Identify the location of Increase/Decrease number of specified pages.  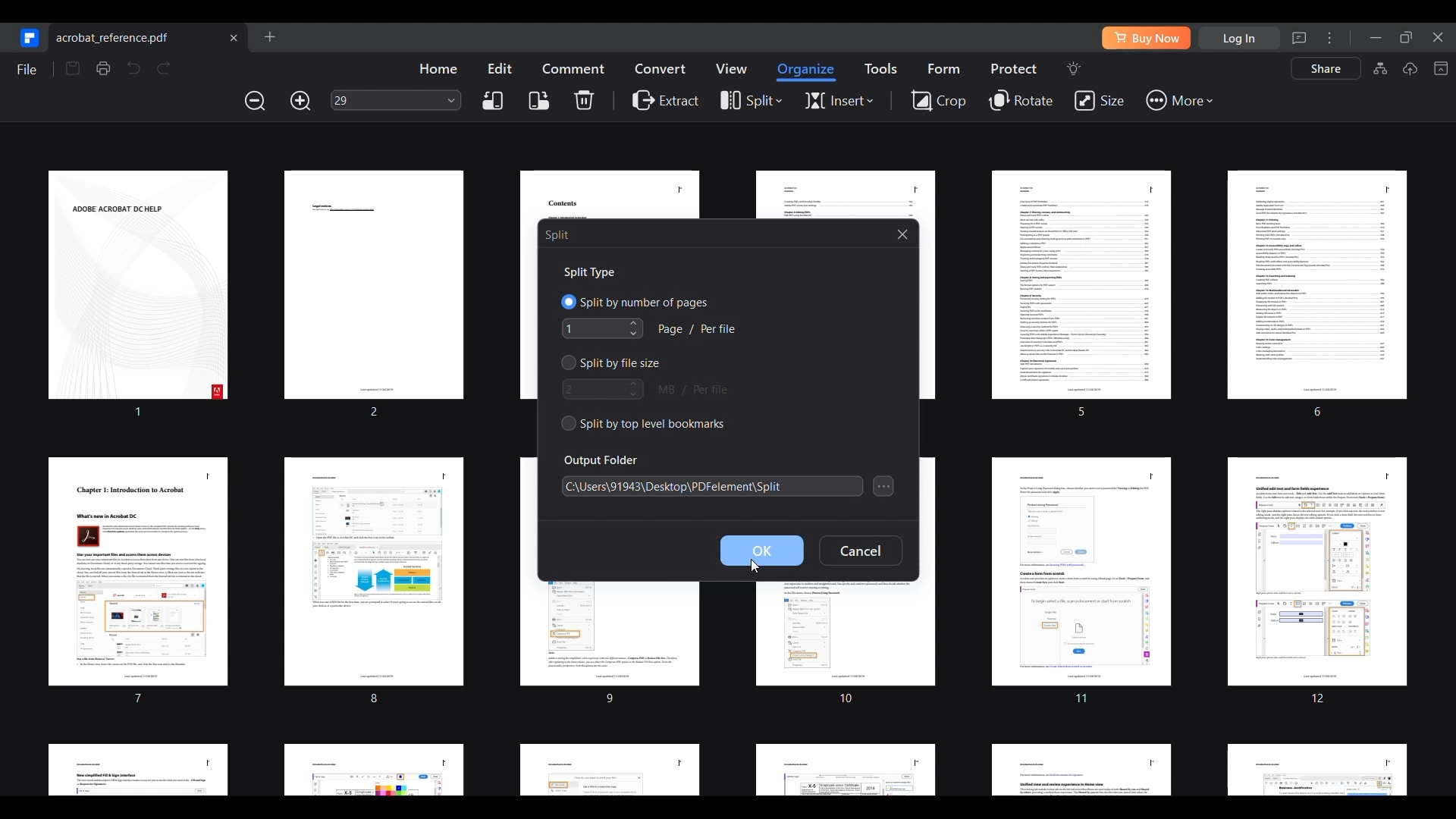
(634, 328).